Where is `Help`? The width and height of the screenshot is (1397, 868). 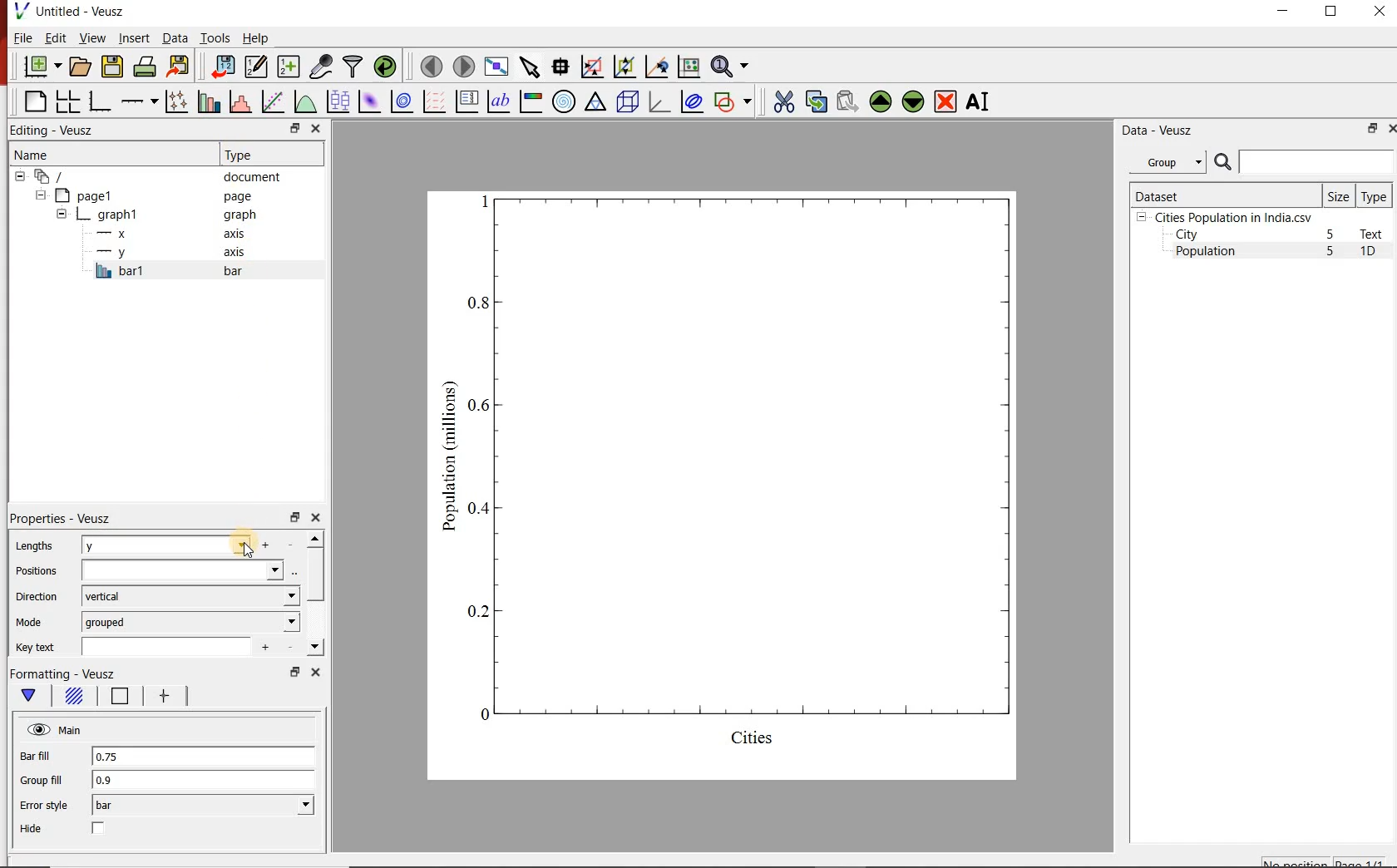 Help is located at coordinates (257, 37).